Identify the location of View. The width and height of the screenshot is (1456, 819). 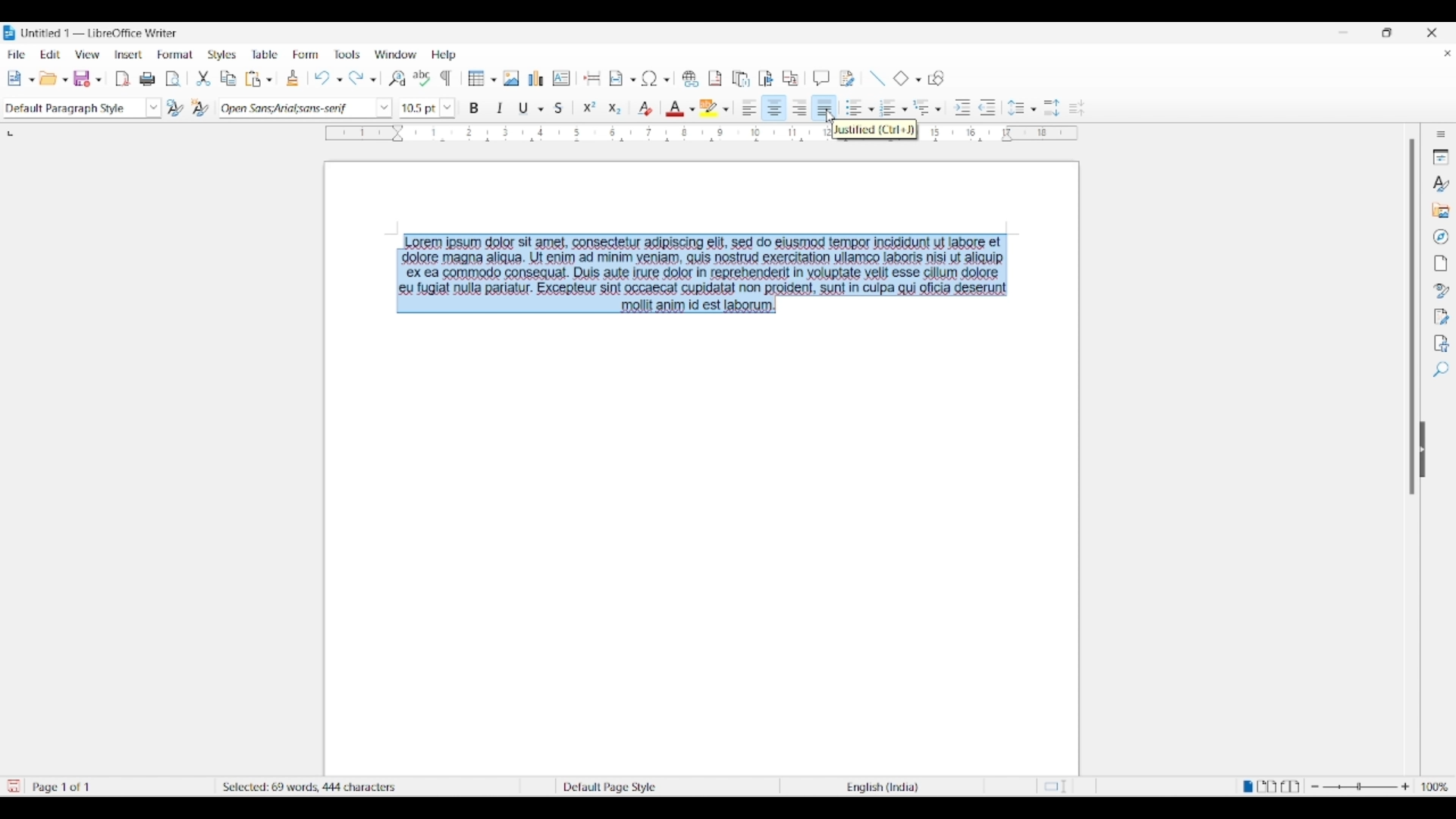
(88, 55).